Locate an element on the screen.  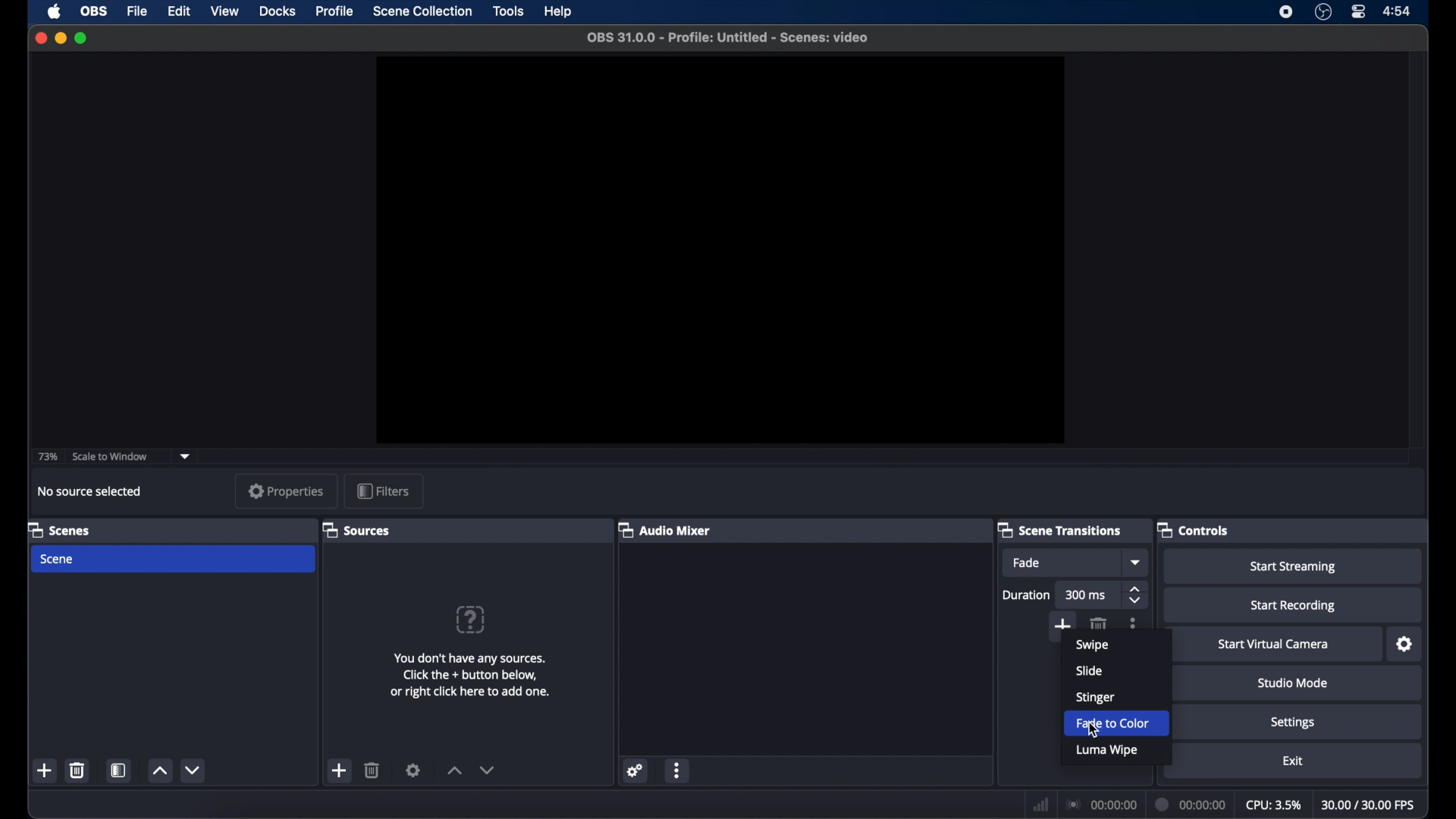
slide is located at coordinates (1088, 671).